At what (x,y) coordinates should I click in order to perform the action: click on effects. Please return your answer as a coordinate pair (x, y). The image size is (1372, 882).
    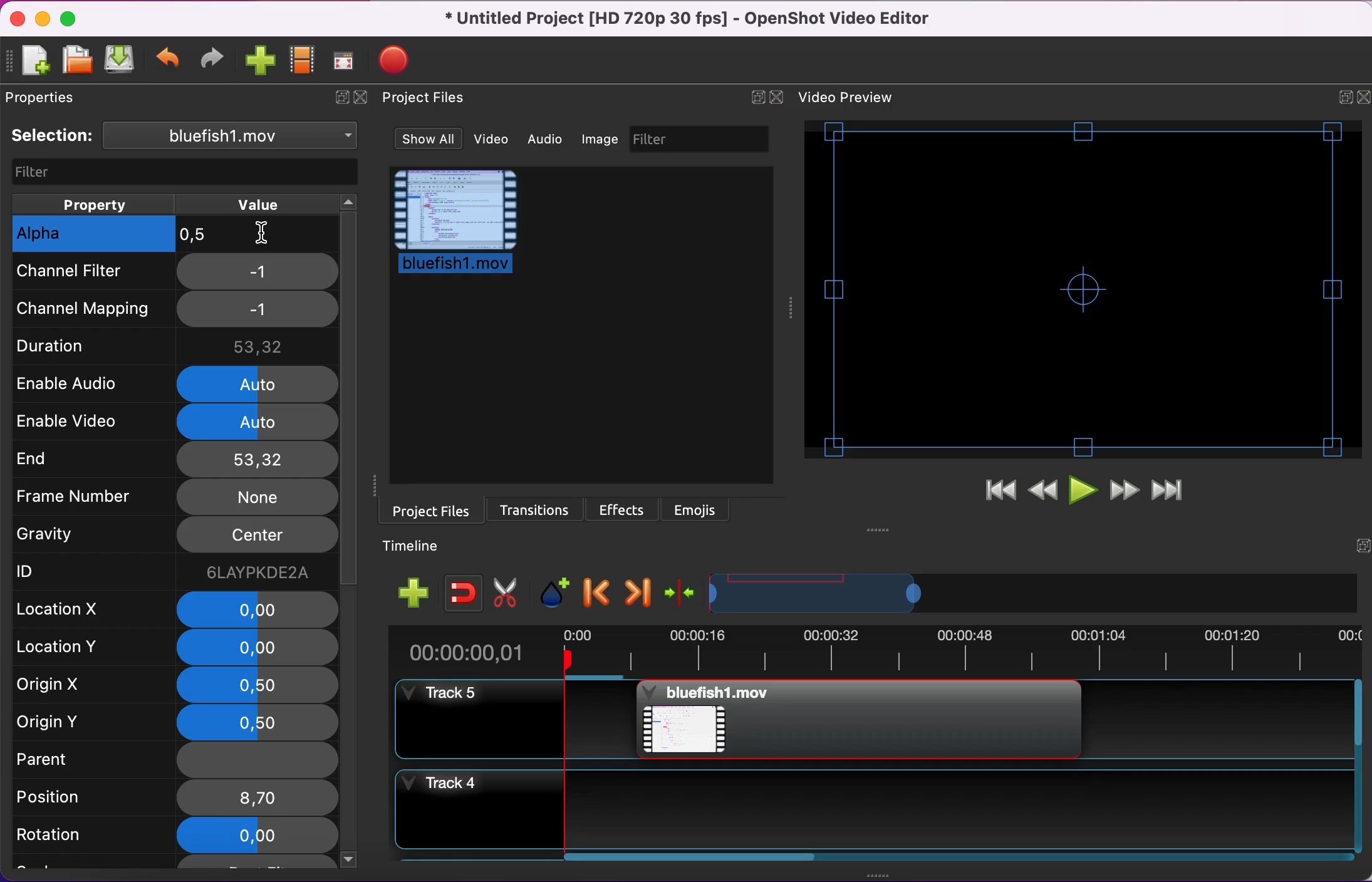
    Looking at the image, I should click on (624, 509).